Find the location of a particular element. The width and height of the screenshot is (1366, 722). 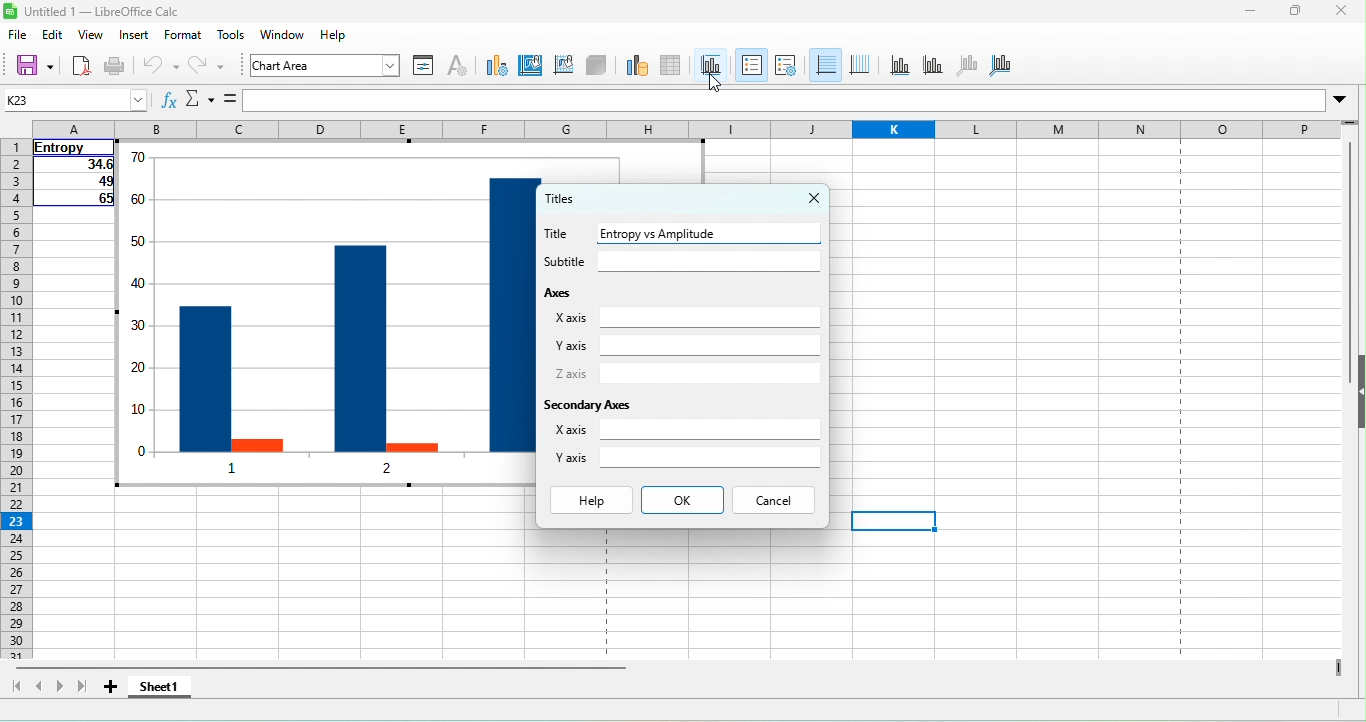

rows is located at coordinates (14, 401).